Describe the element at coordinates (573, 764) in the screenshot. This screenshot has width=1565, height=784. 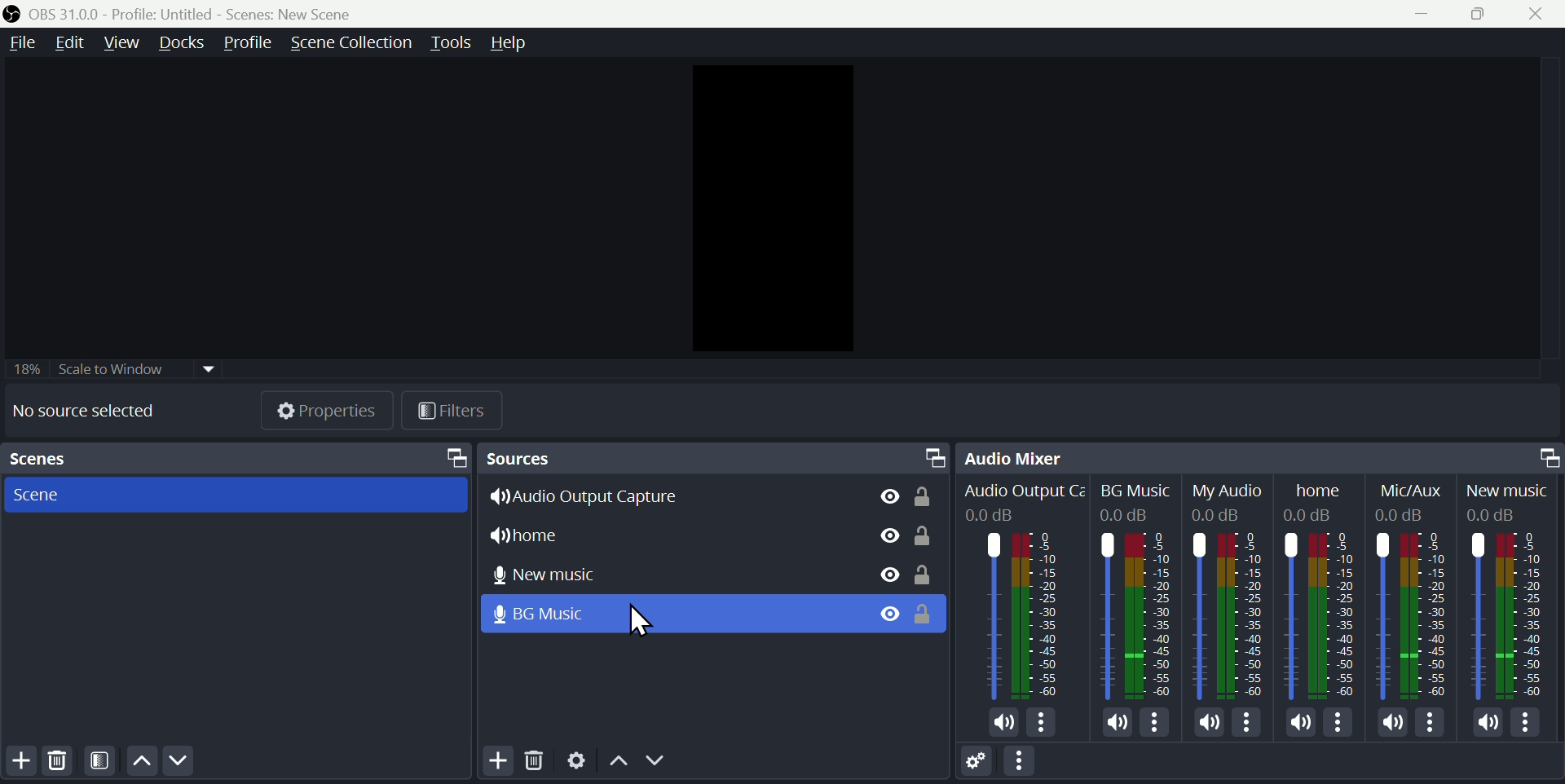
I see `Settings` at that location.